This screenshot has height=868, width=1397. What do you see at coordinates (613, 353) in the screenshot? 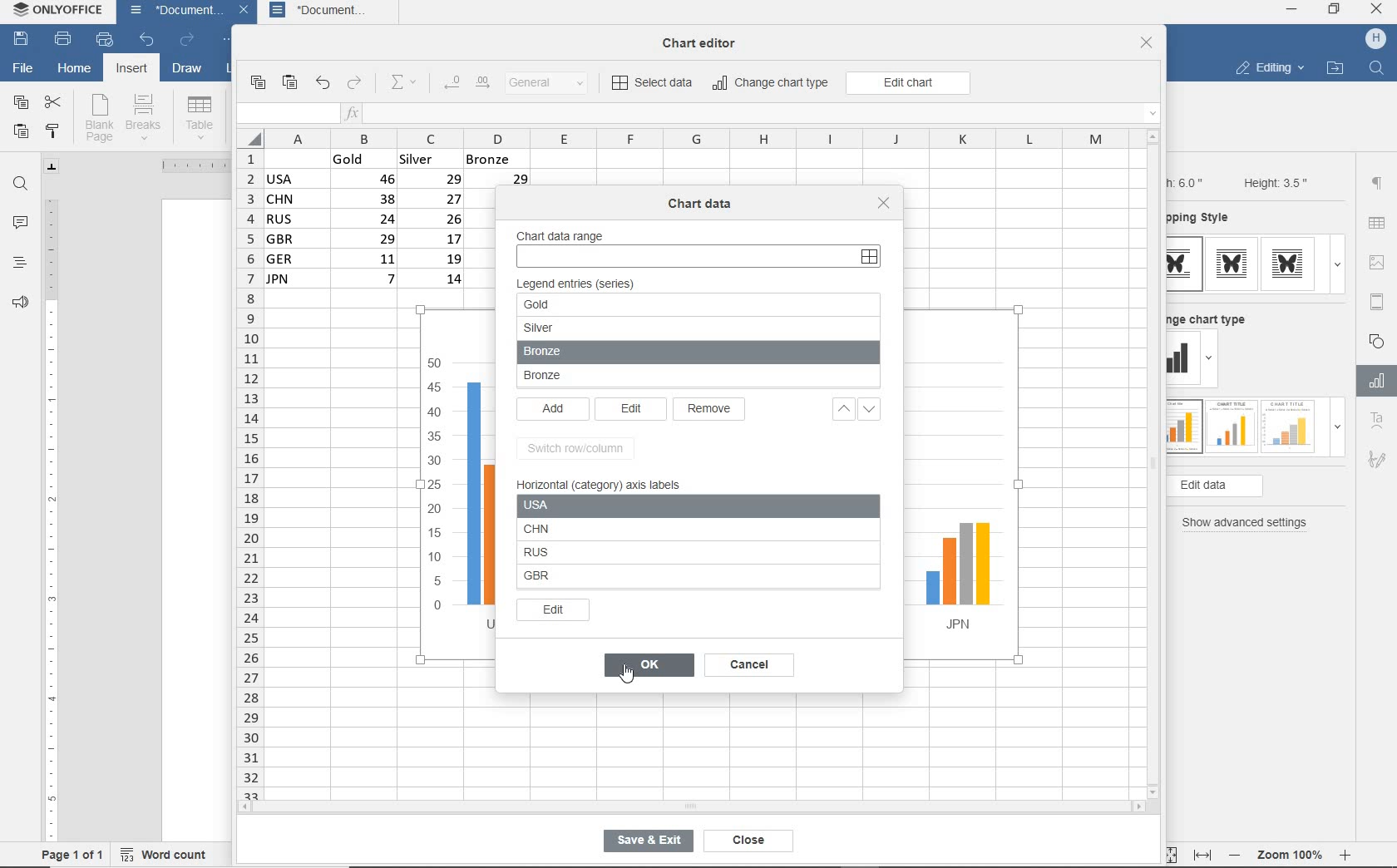
I see `Bronze` at bounding box center [613, 353].